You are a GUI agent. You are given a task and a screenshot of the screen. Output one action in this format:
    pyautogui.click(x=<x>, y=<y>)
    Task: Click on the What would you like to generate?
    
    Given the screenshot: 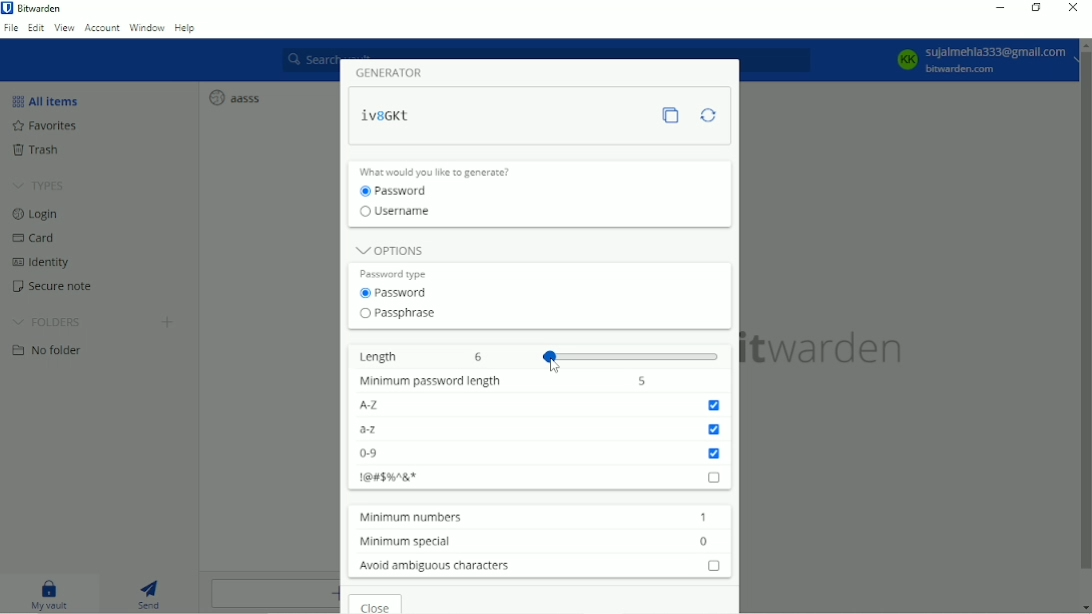 What is the action you would take?
    pyautogui.click(x=445, y=171)
    